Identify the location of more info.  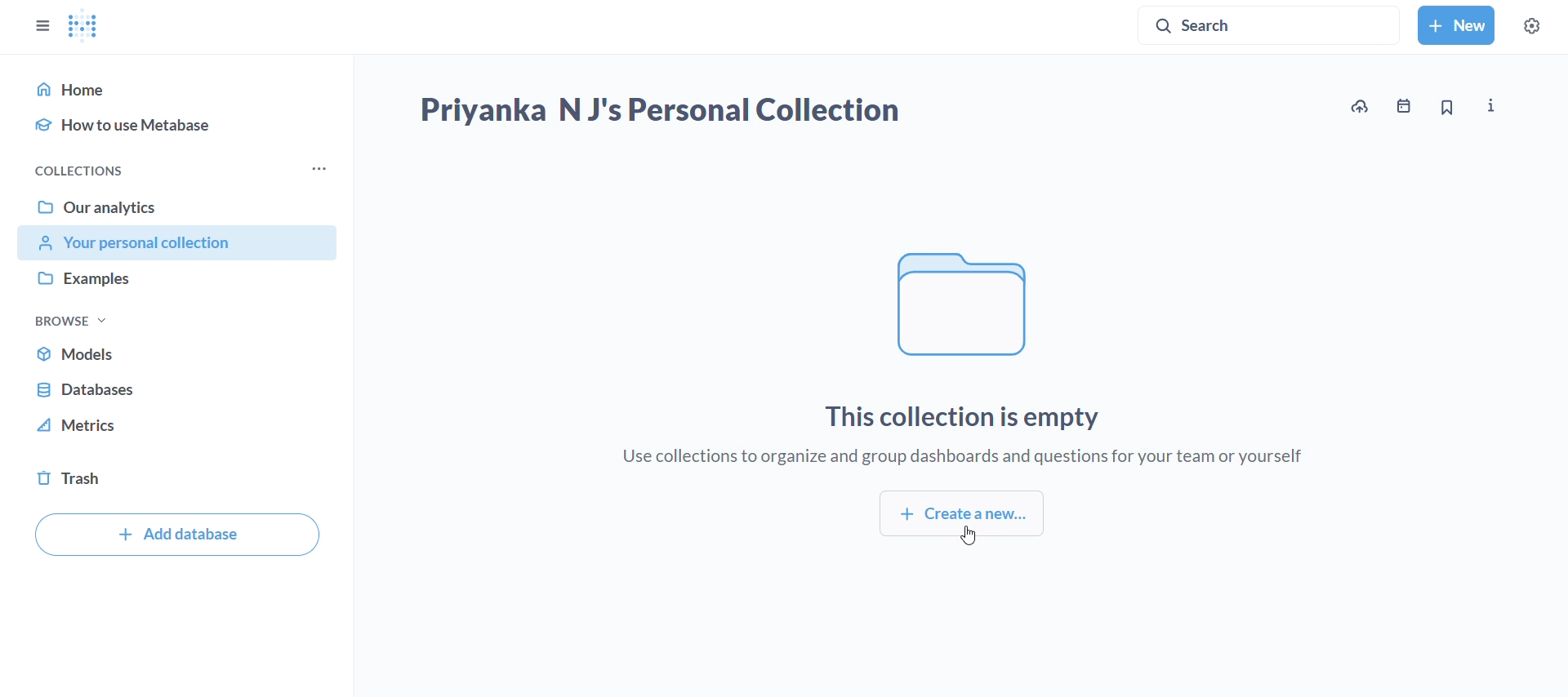
(1490, 107).